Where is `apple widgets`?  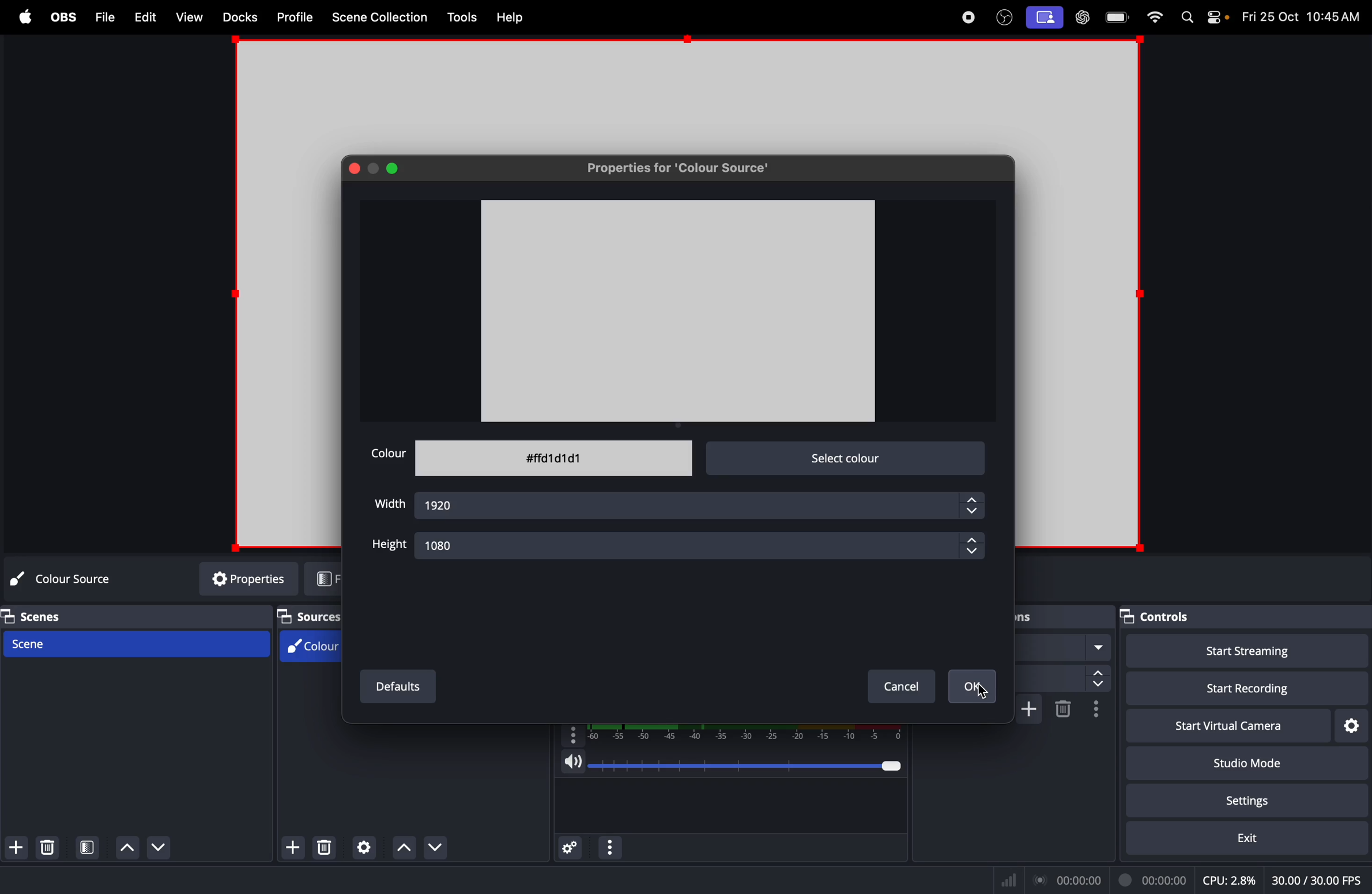 apple widgets is located at coordinates (1215, 18).